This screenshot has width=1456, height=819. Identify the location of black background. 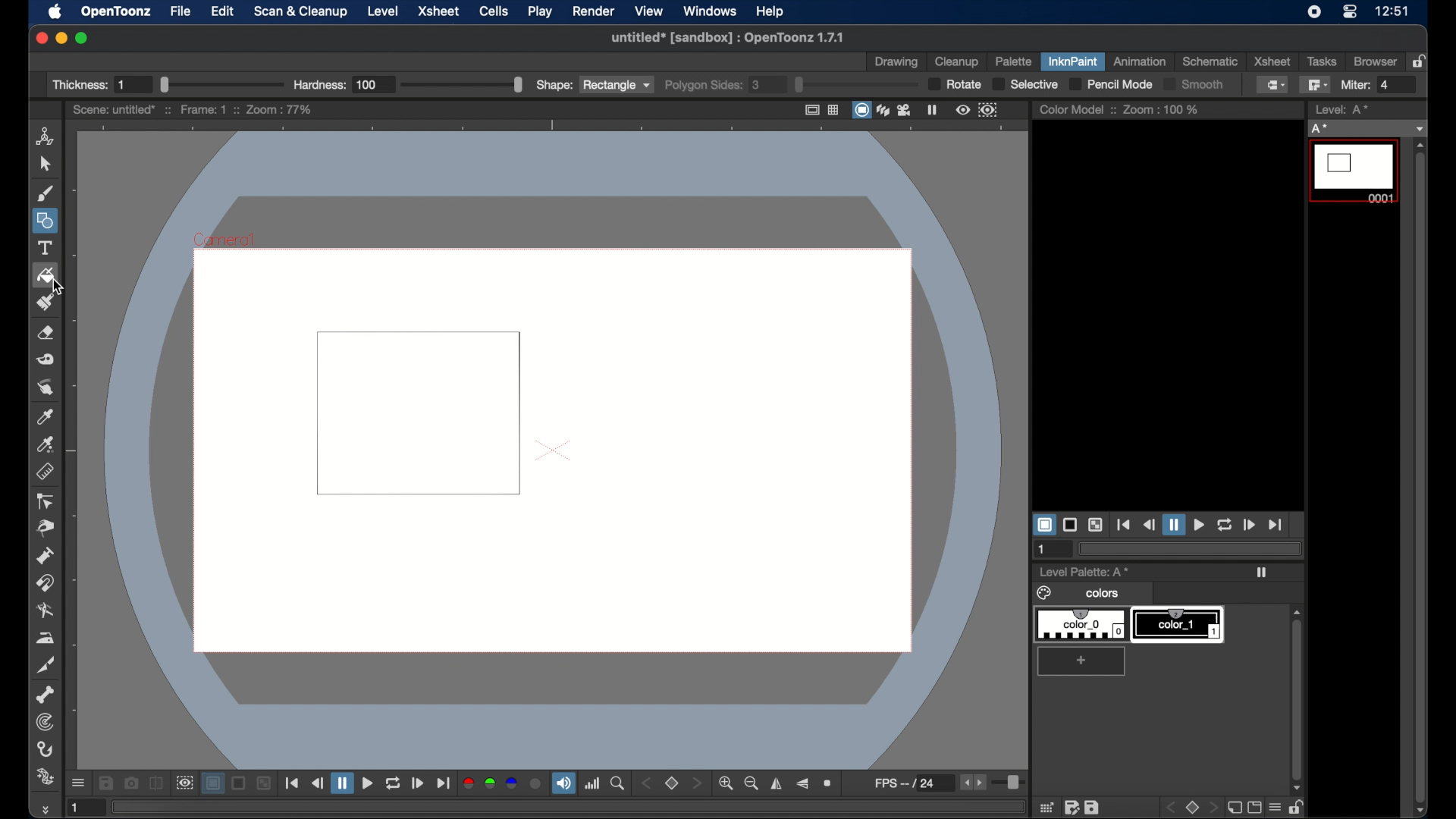
(1070, 524).